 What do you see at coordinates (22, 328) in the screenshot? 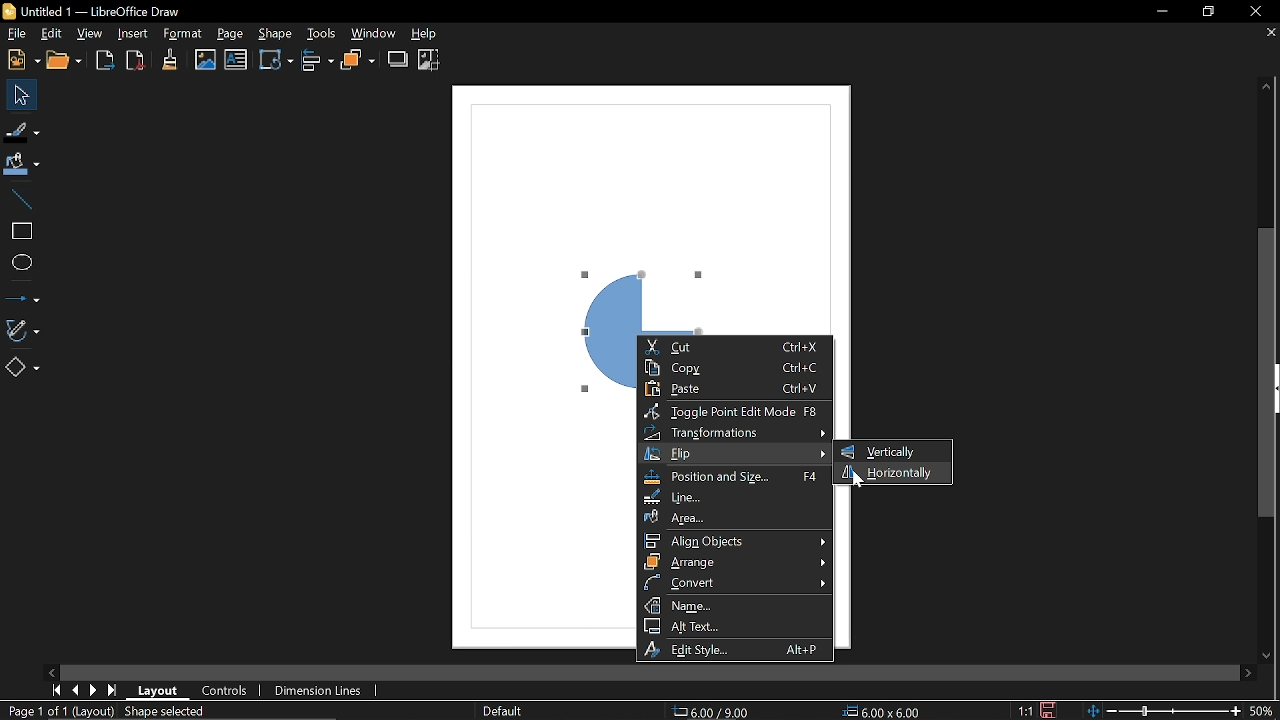
I see `Curves and polygons` at bounding box center [22, 328].